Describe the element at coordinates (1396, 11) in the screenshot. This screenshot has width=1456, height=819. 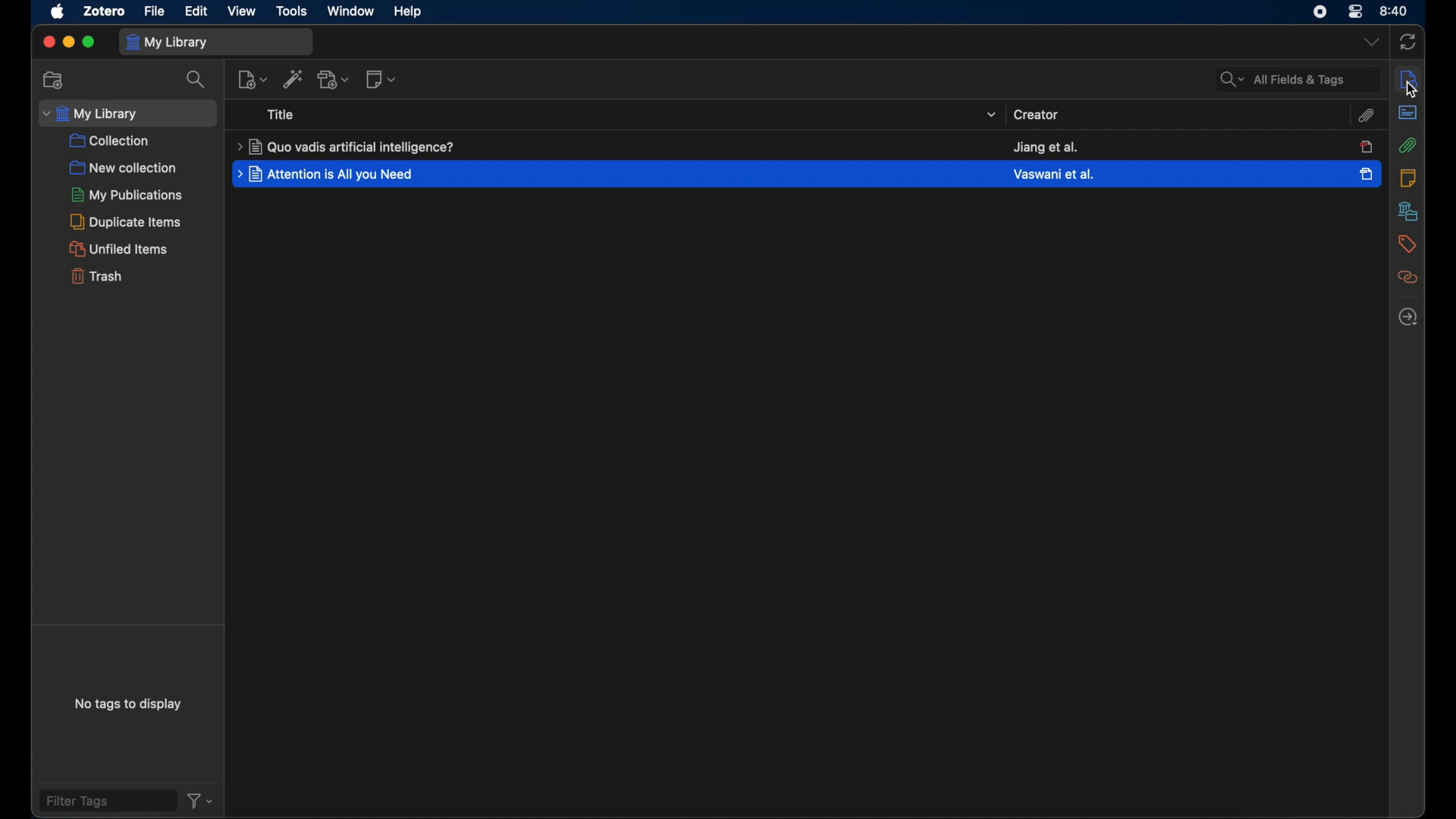
I see `time` at that location.